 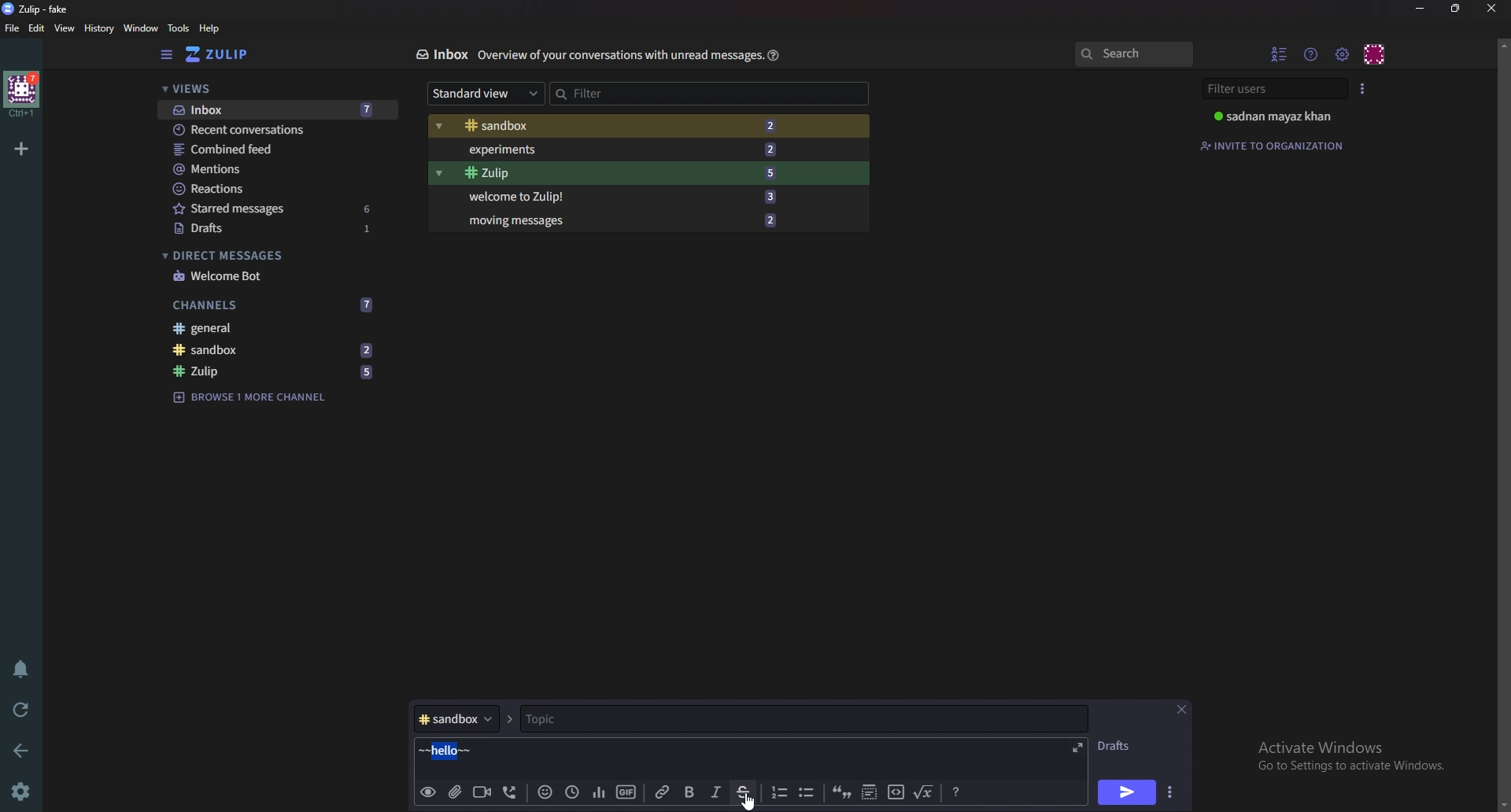 What do you see at coordinates (481, 795) in the screenshot?
I see `Video call` at bounding box center [481, 795].